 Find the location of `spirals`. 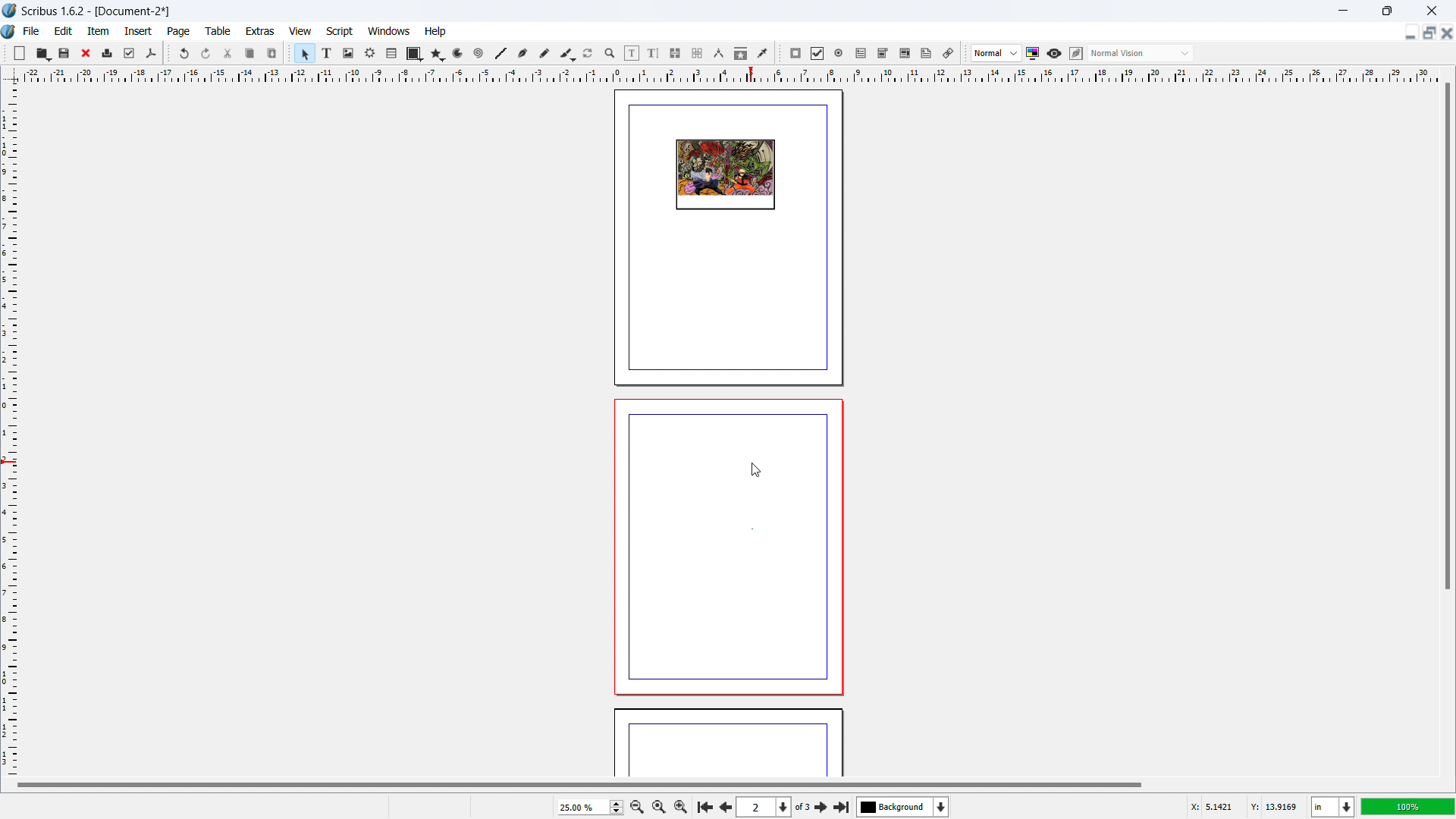

spirals is located at coordinates (479, 54).